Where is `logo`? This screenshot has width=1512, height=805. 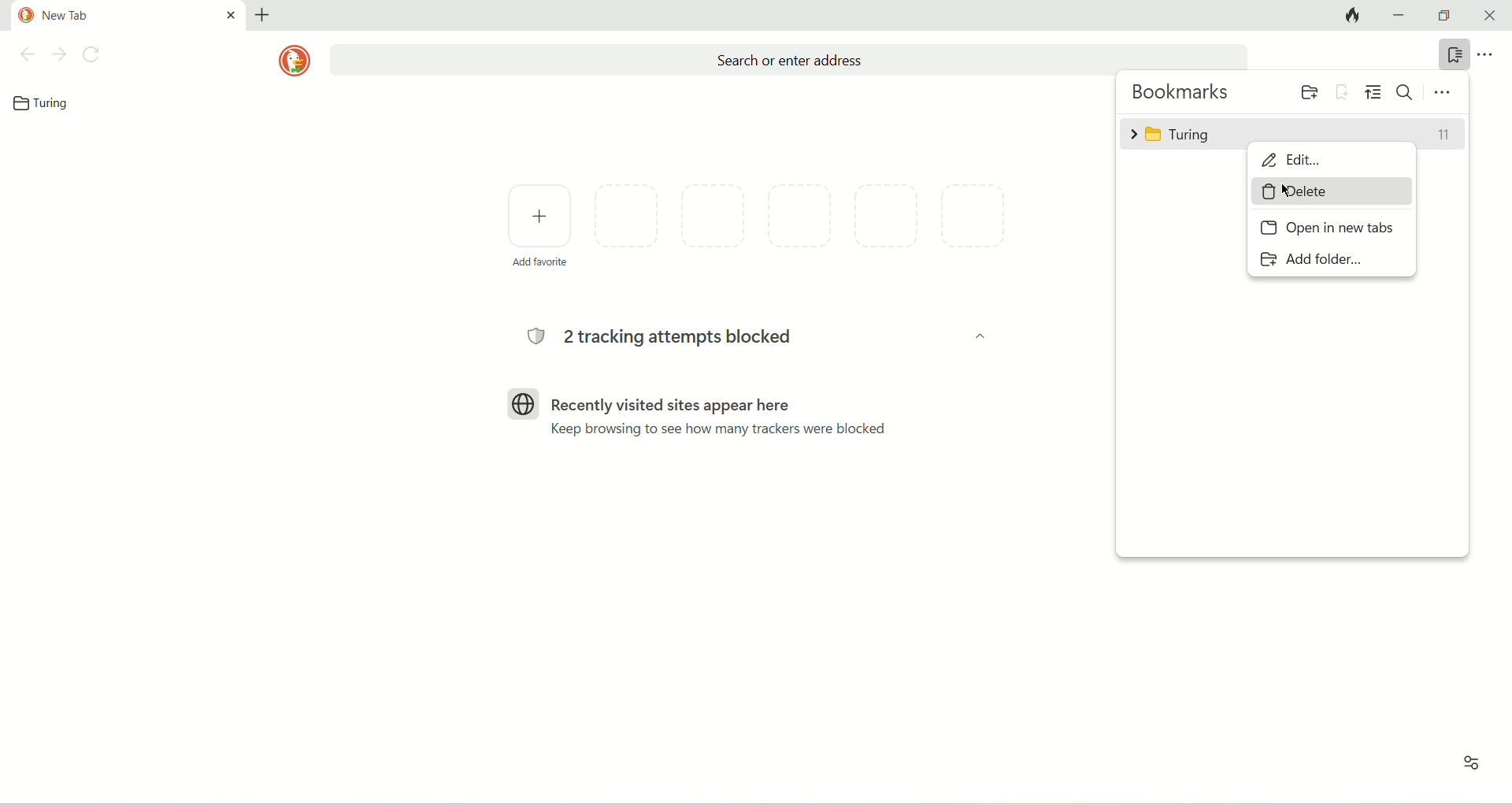
logo is located at coordinates (295, 61).